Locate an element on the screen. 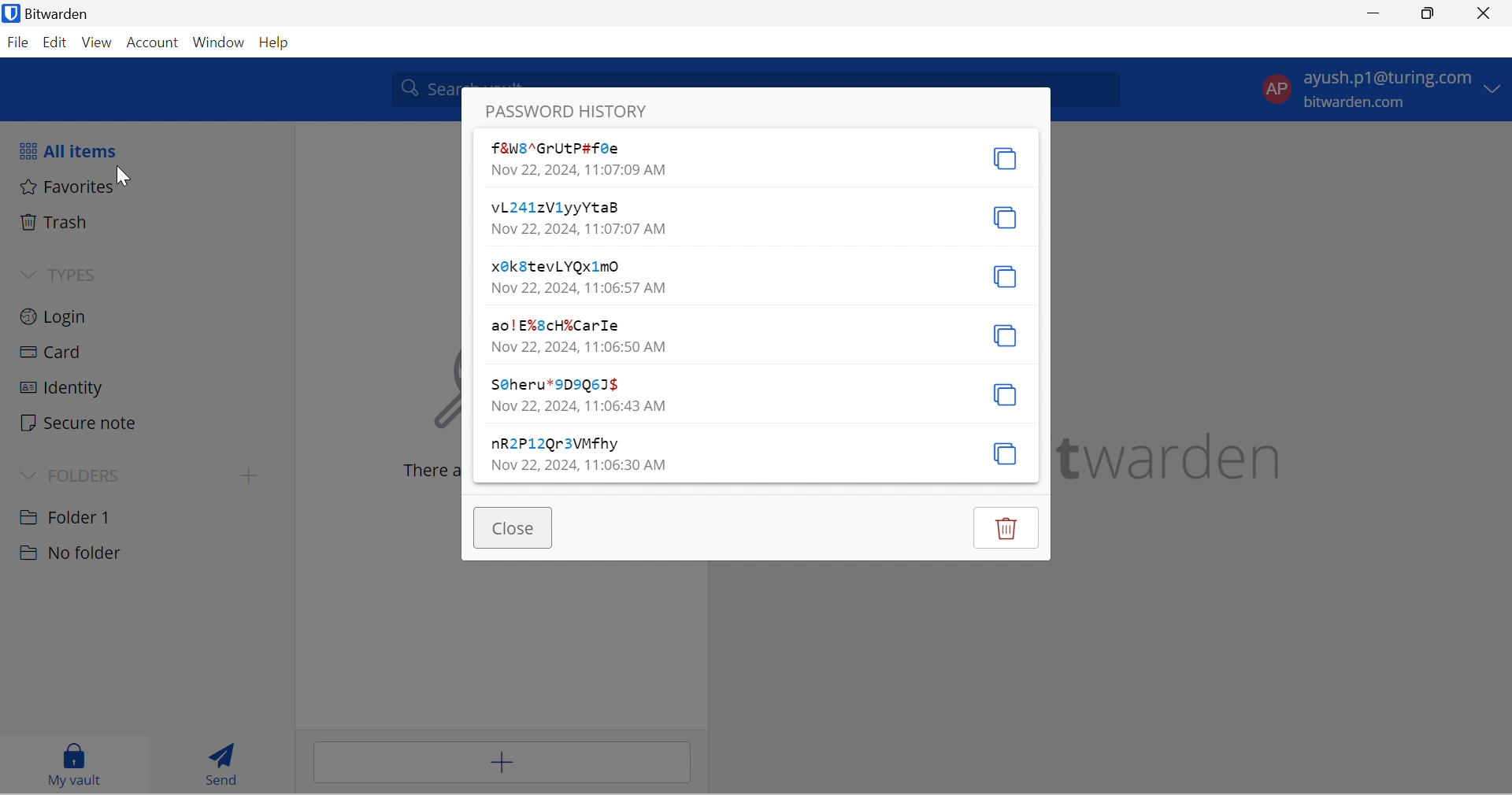 This screenshot has width=1512, height=795. Add Entry is located at coordinates (502, 763).